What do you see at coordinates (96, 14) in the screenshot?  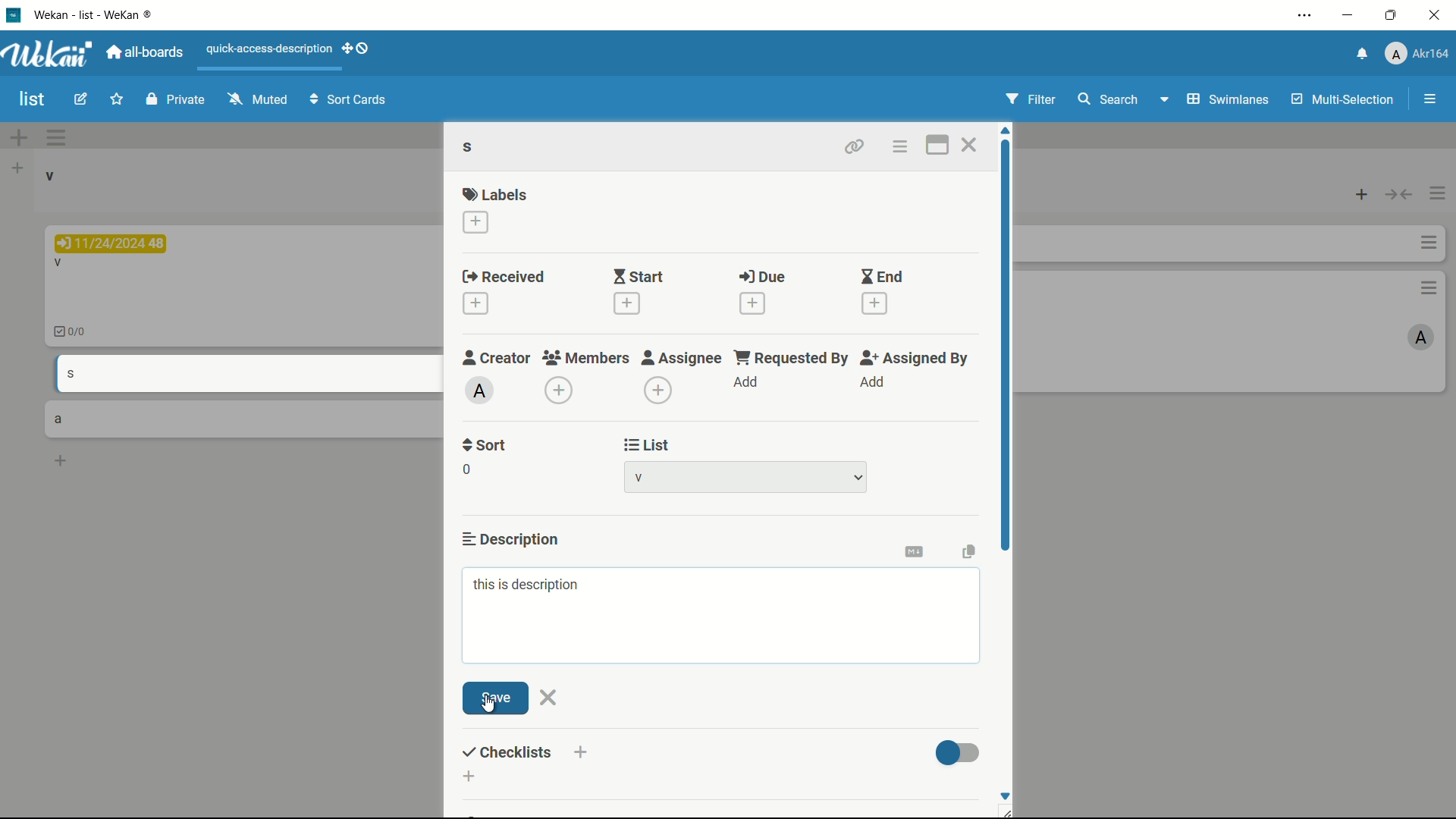 I see `Wekan - WeKan ®` at bounding box center [96, 14].